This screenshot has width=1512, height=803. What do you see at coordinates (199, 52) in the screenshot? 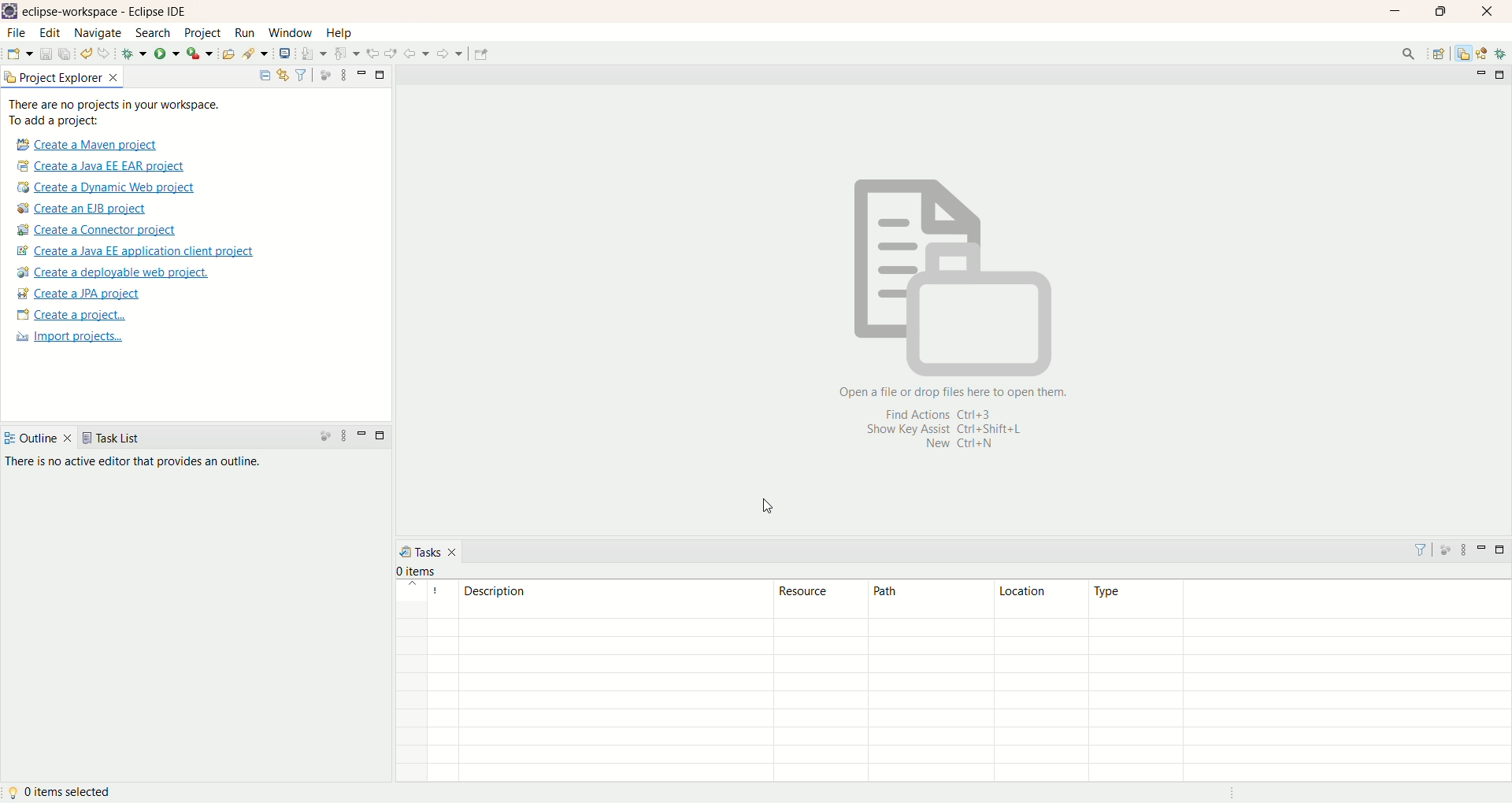
I see `run last tool` at bounding box center [199, 52].